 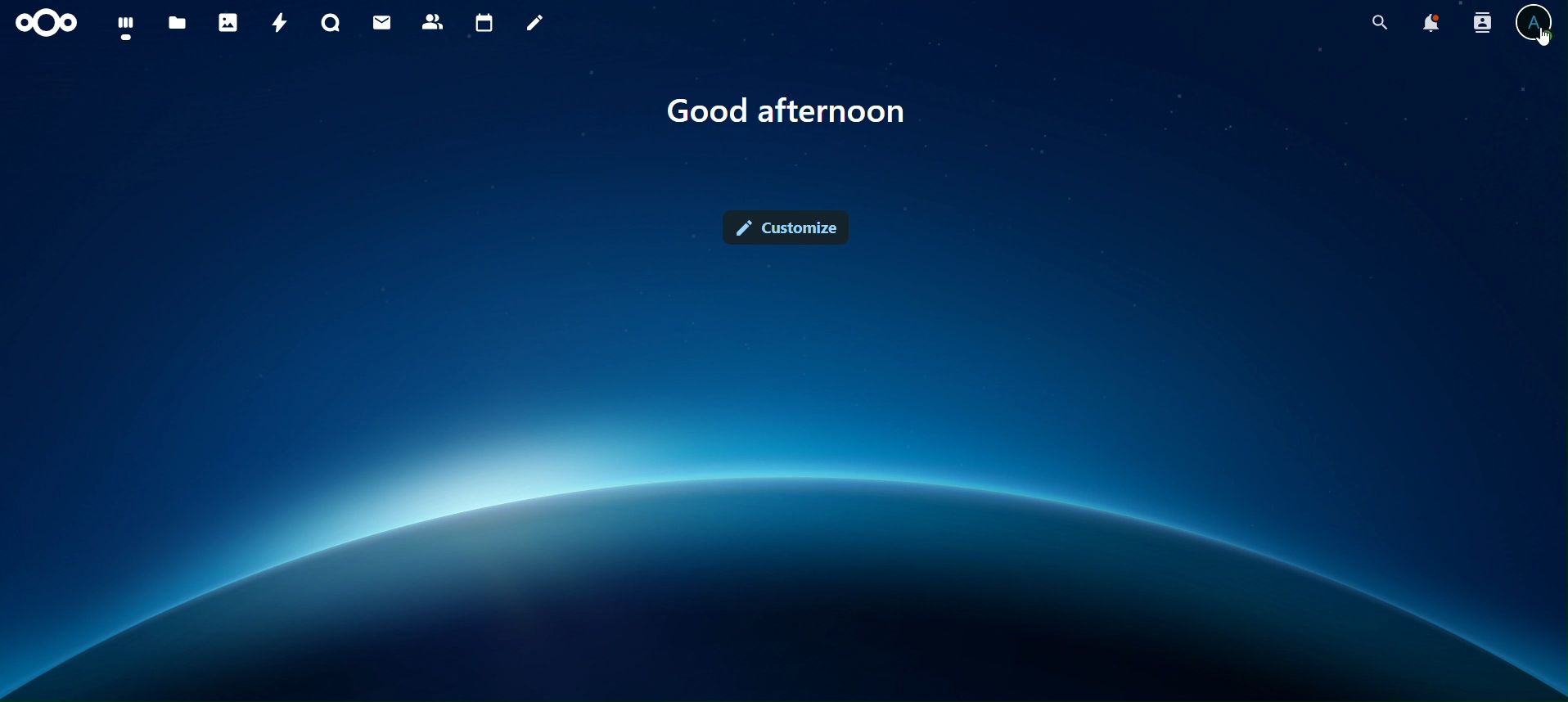 I want to click on activity, so click(x=282, y=23).